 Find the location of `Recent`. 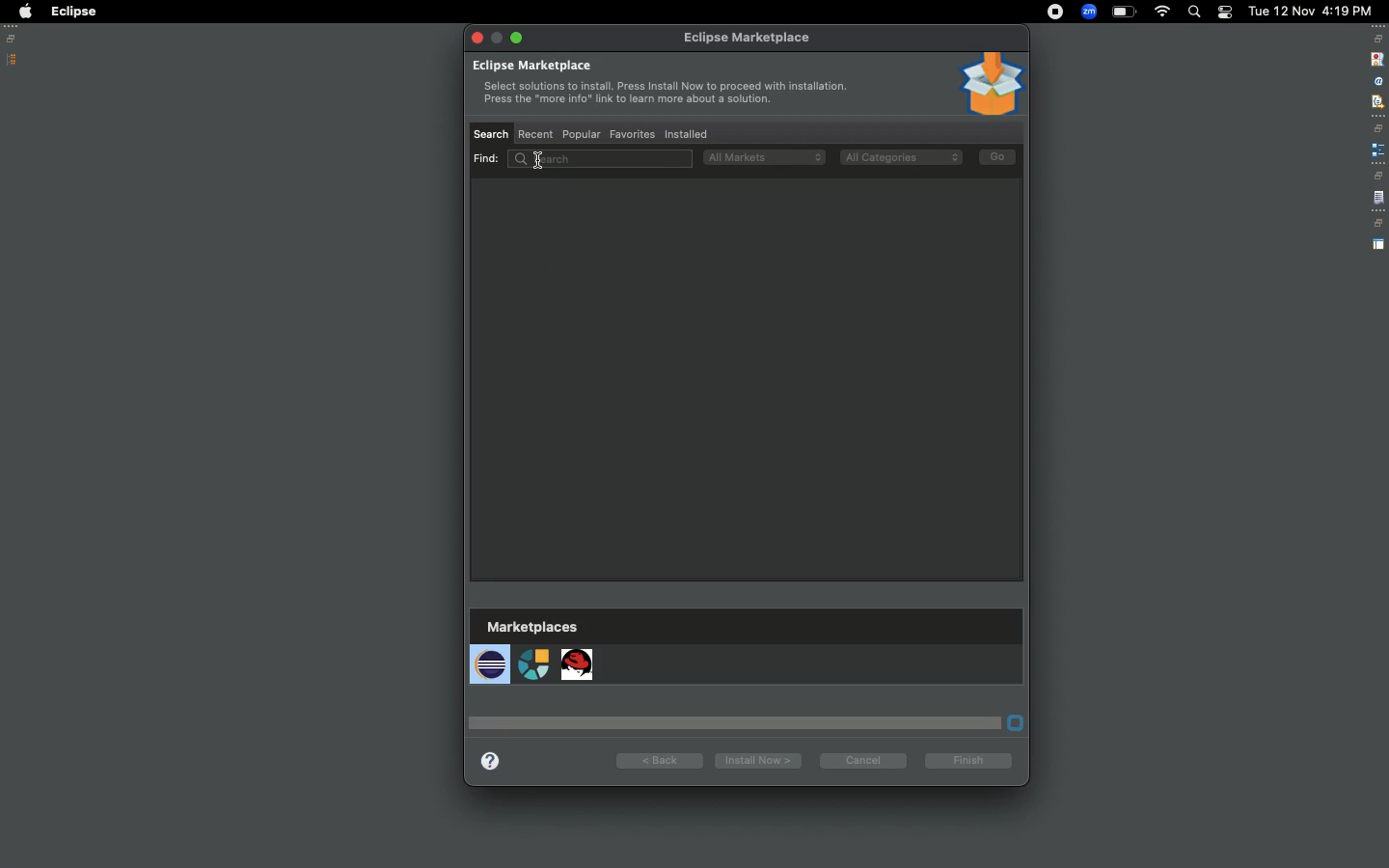

Recent is located at coordinates (537, 134).